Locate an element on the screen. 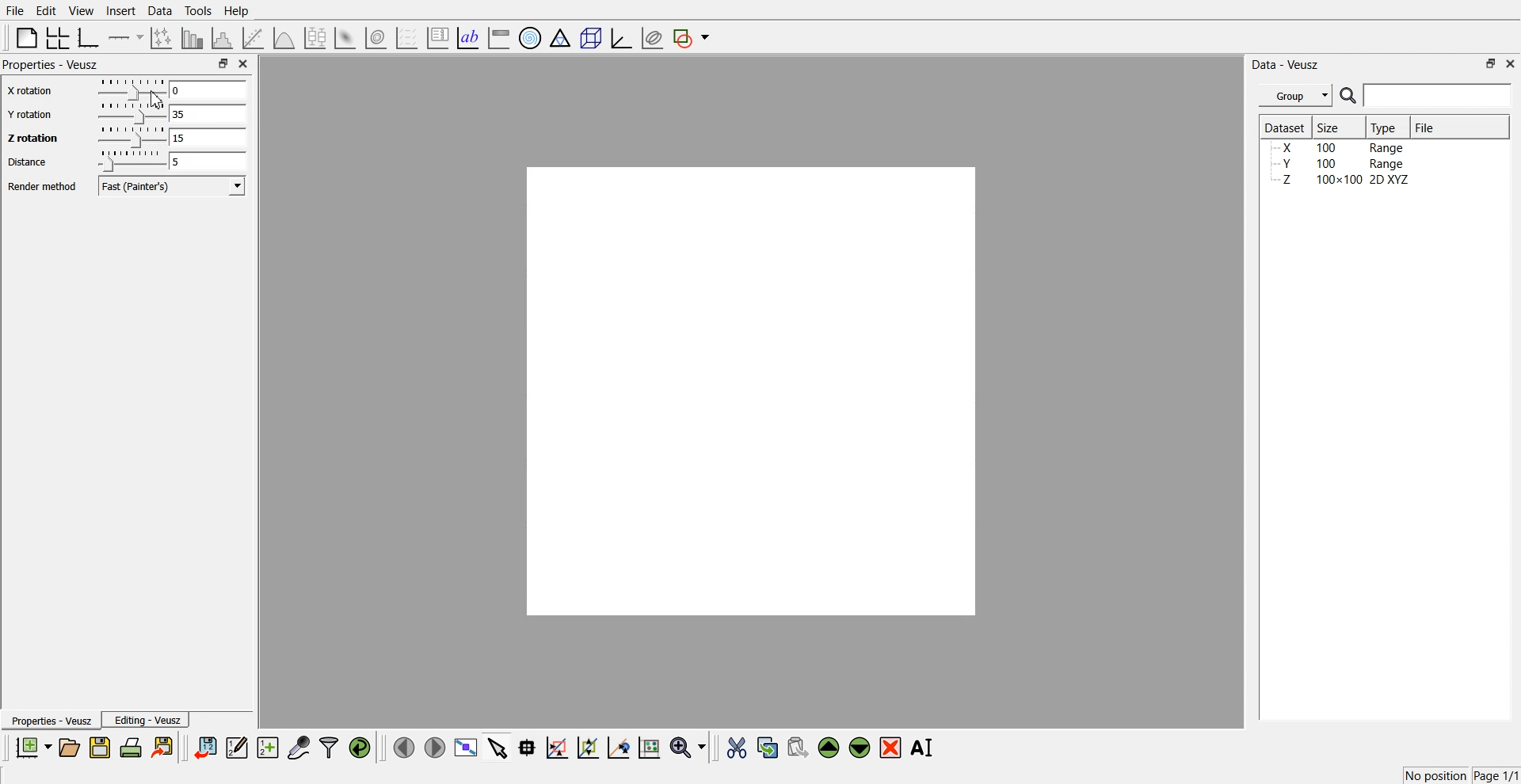  Drag Handle is located at coordinates (130, 89).